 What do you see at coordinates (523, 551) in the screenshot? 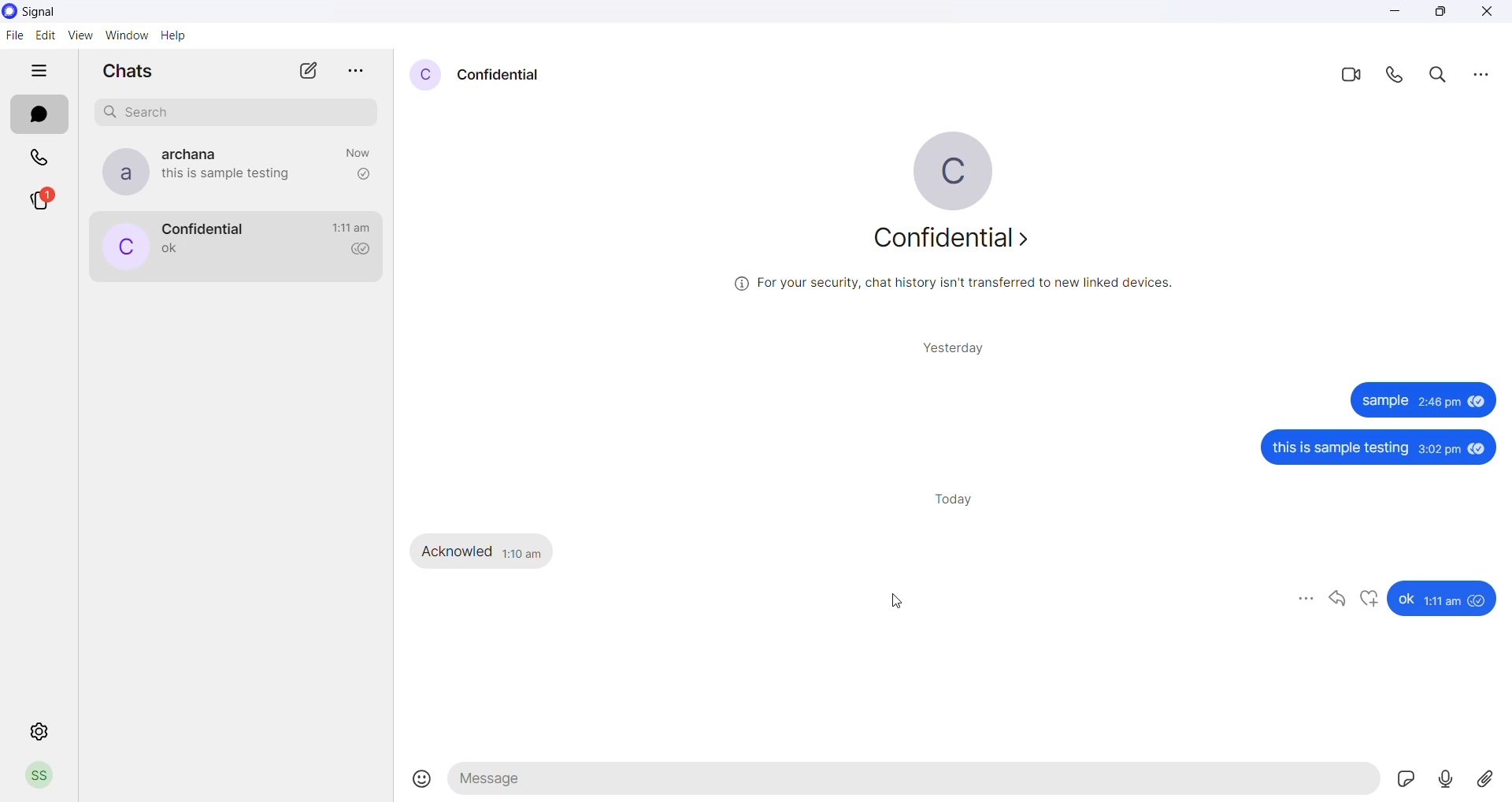
I see `1:10 am` at bounding box center [523, 551].